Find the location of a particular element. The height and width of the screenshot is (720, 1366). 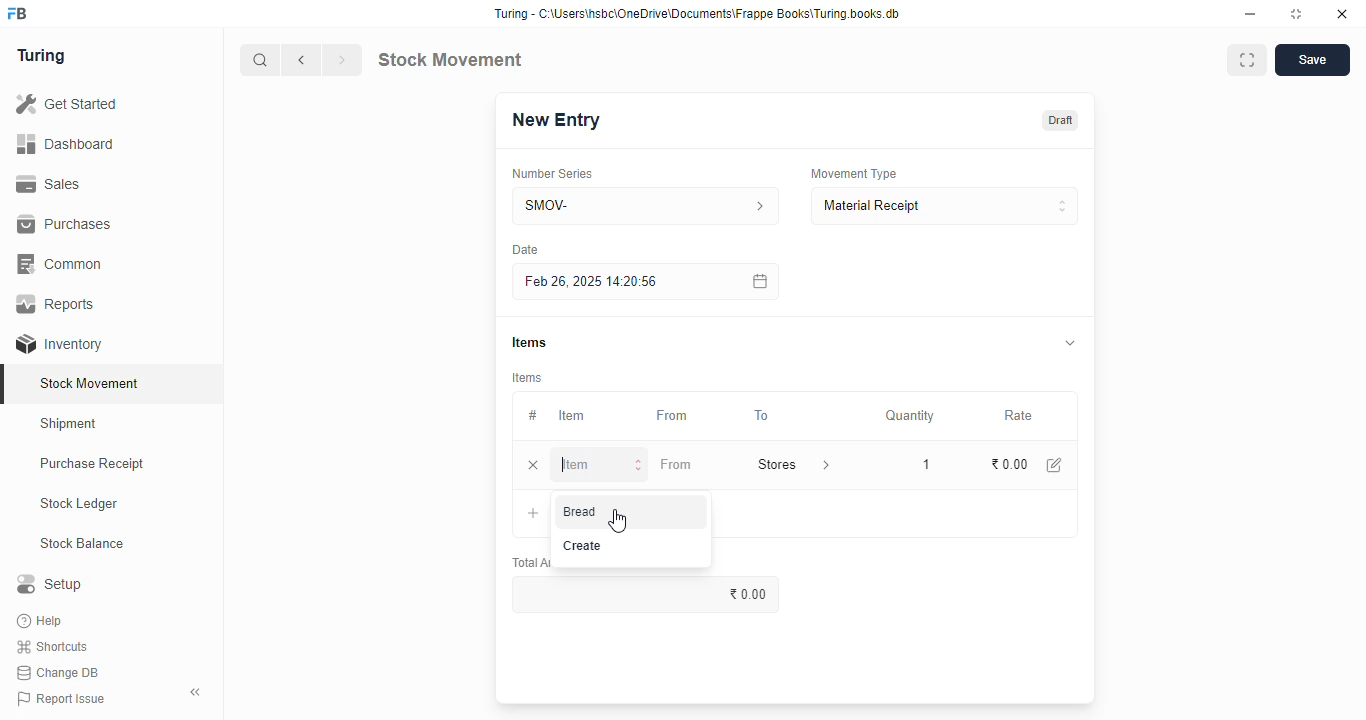

save is located at coordinates (1313, 60).